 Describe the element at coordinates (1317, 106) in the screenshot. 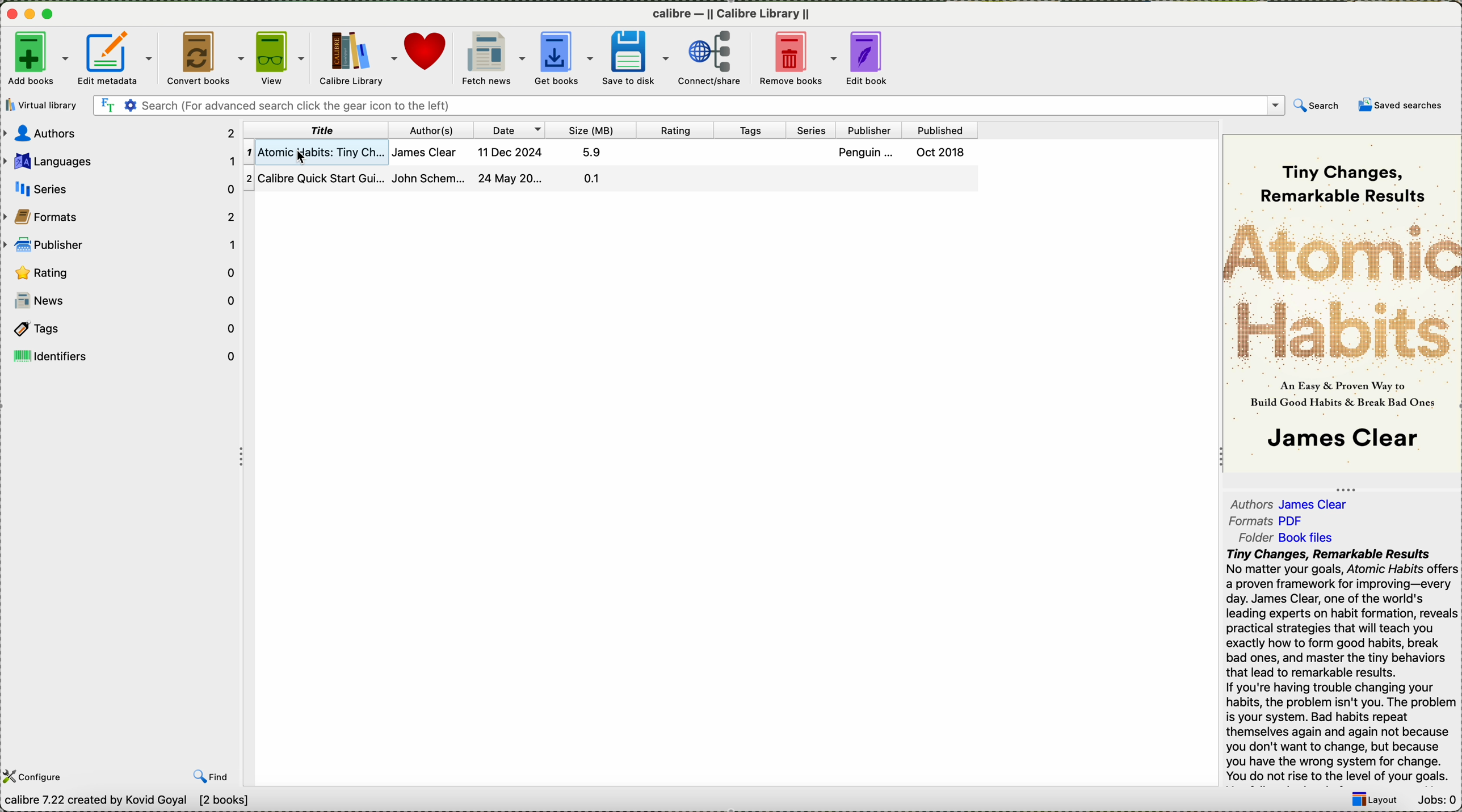

I see `search` at that location.